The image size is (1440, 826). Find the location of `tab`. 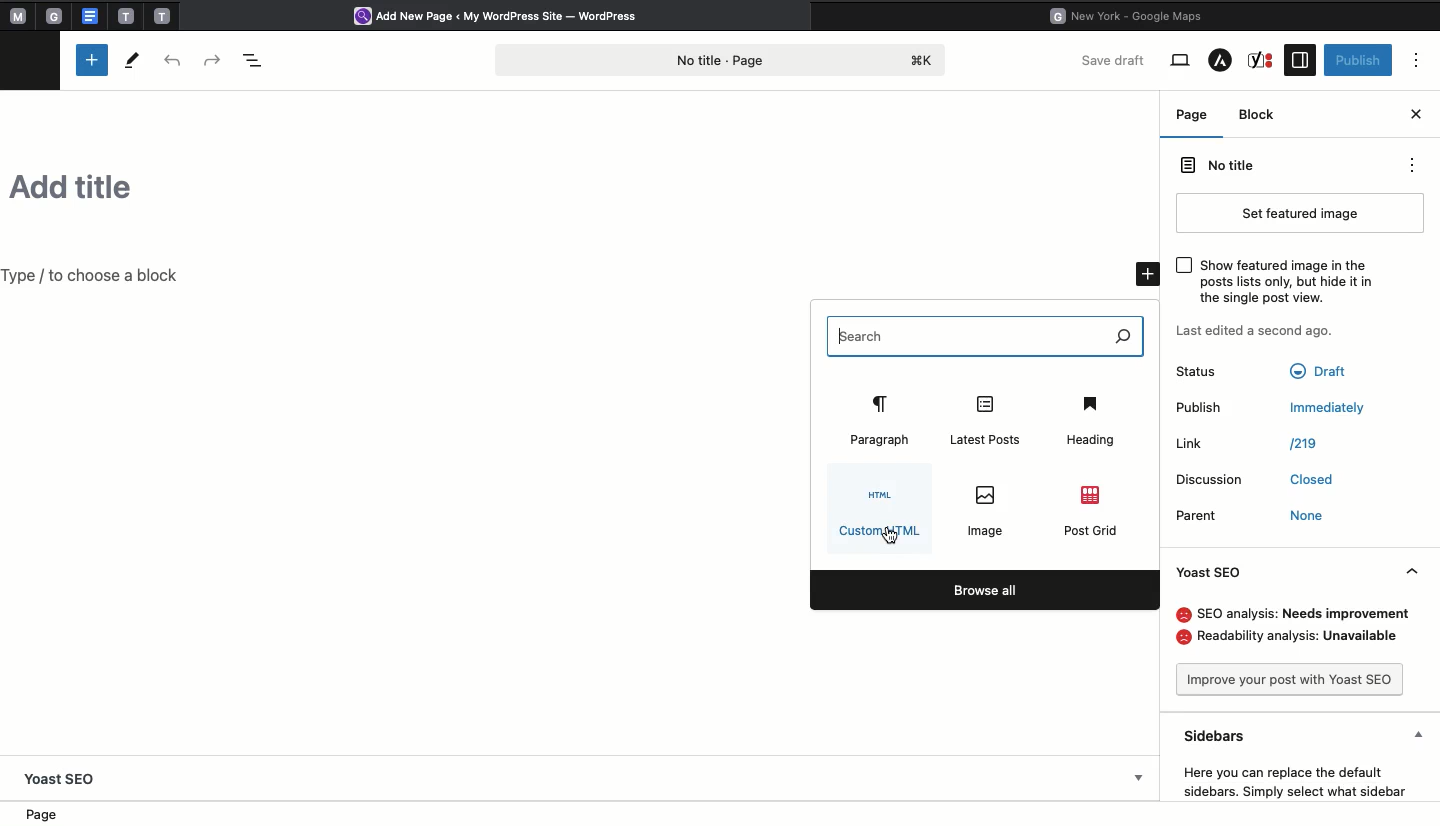

tab is located at coordinates (164, 15).